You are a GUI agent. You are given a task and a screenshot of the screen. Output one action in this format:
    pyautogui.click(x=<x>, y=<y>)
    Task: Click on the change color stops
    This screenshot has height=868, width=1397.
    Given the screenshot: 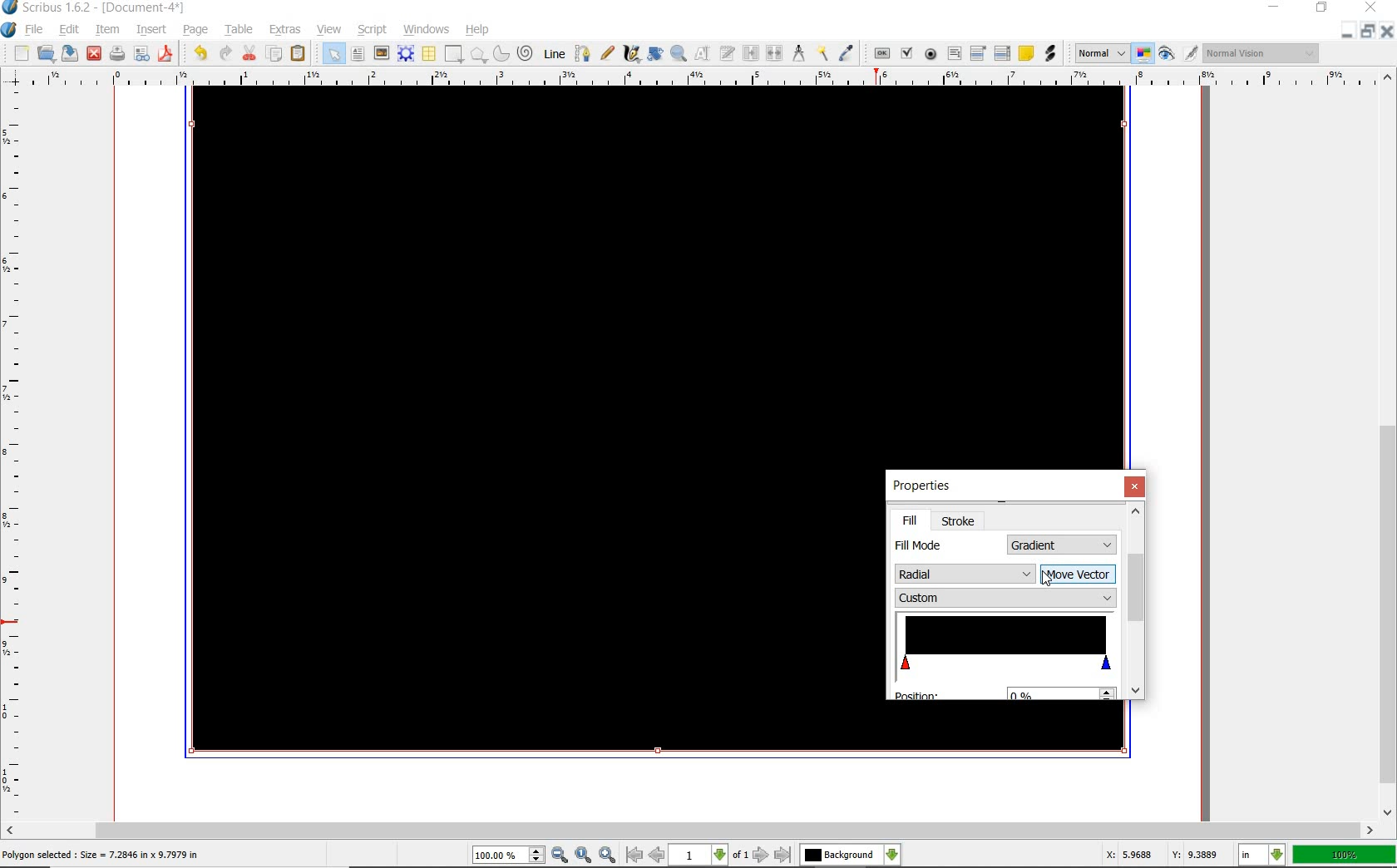 What is the action you would take?
    pyautogui.click(x=1003, y=645)
    